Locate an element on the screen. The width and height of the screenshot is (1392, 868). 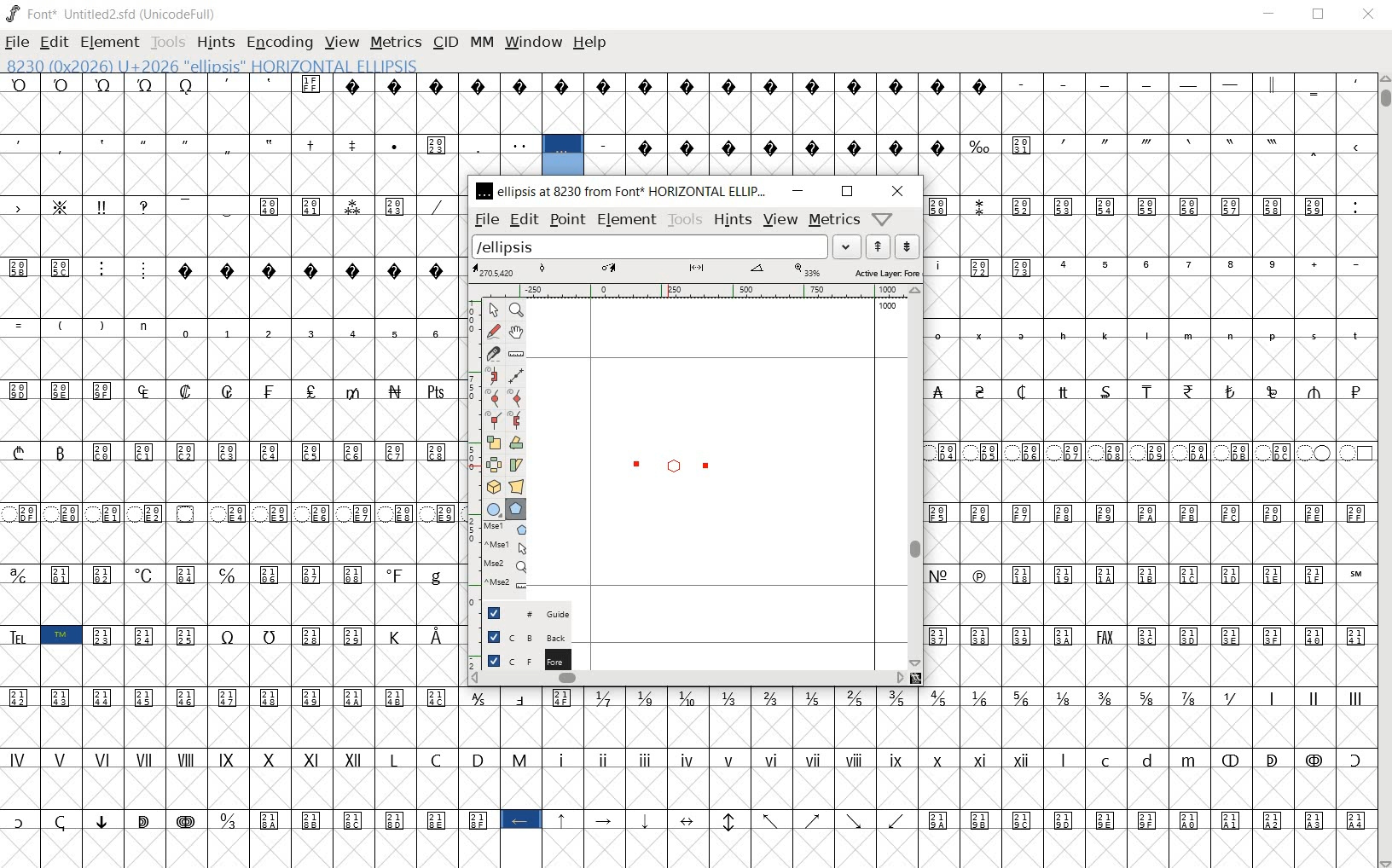
background is located at coordinates (521, 635).